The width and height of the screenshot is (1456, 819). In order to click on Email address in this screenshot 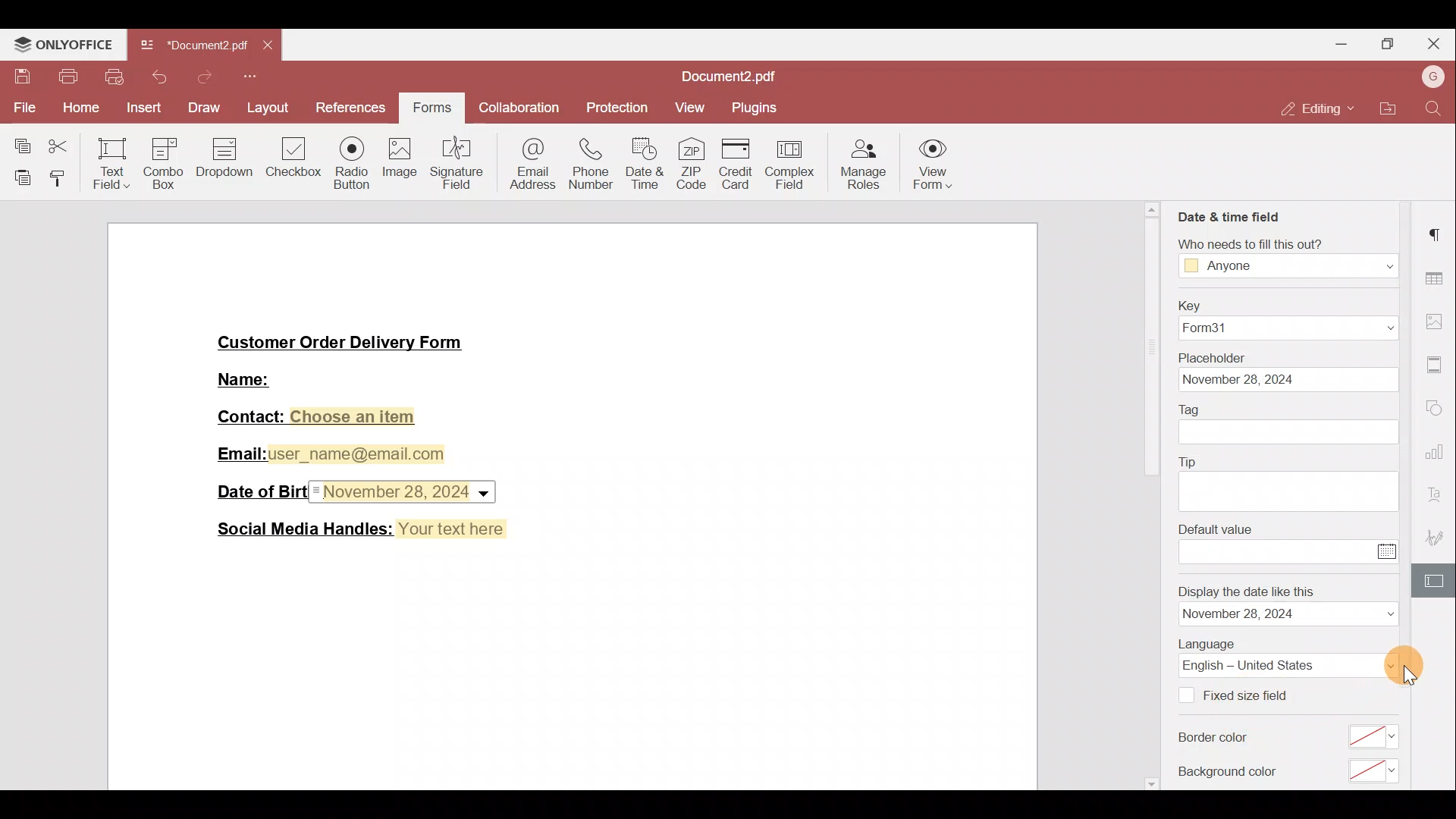, I will do `click(531, 162)`.